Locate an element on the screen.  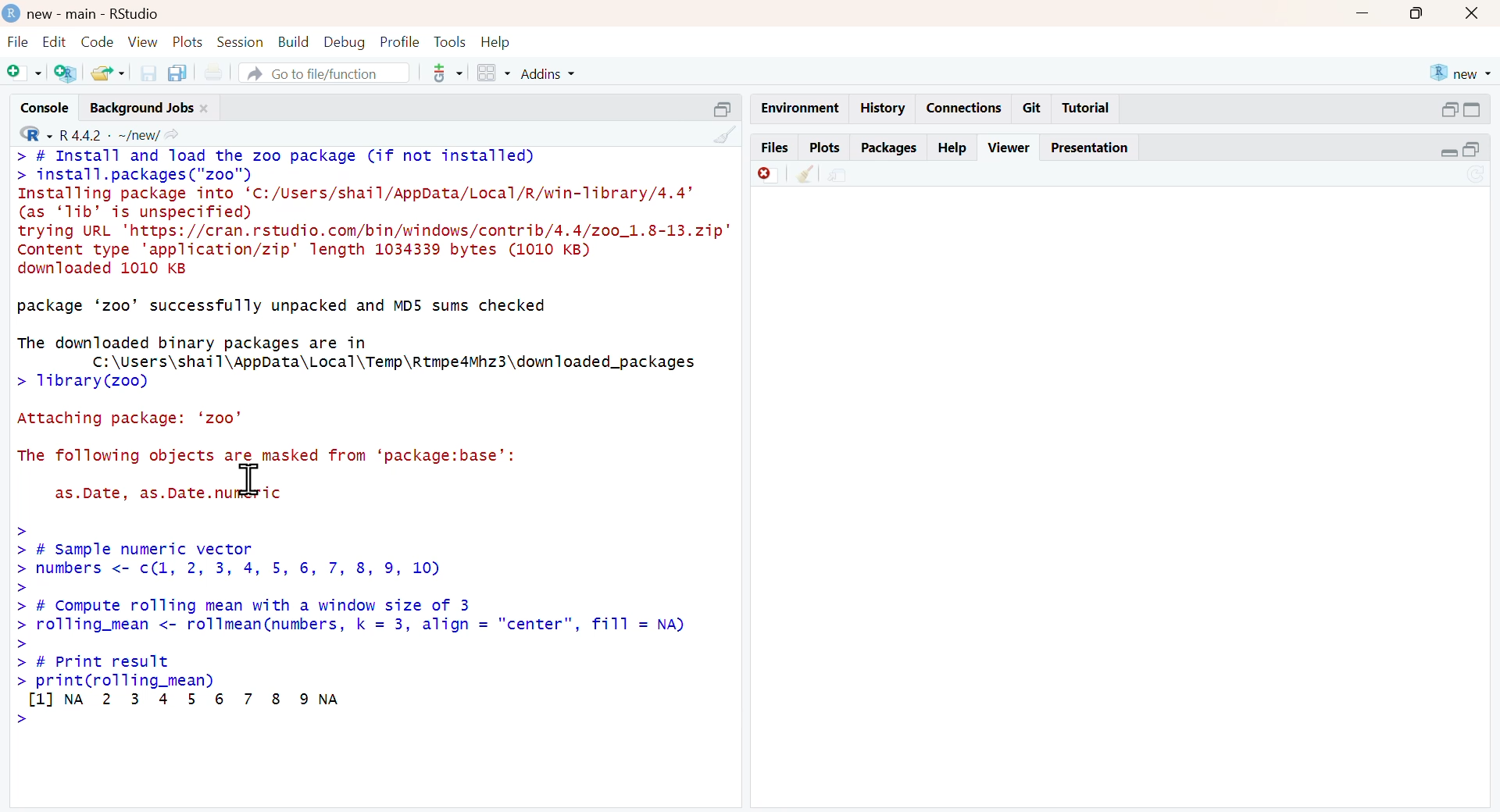
save is located at coordinates (149, 73).